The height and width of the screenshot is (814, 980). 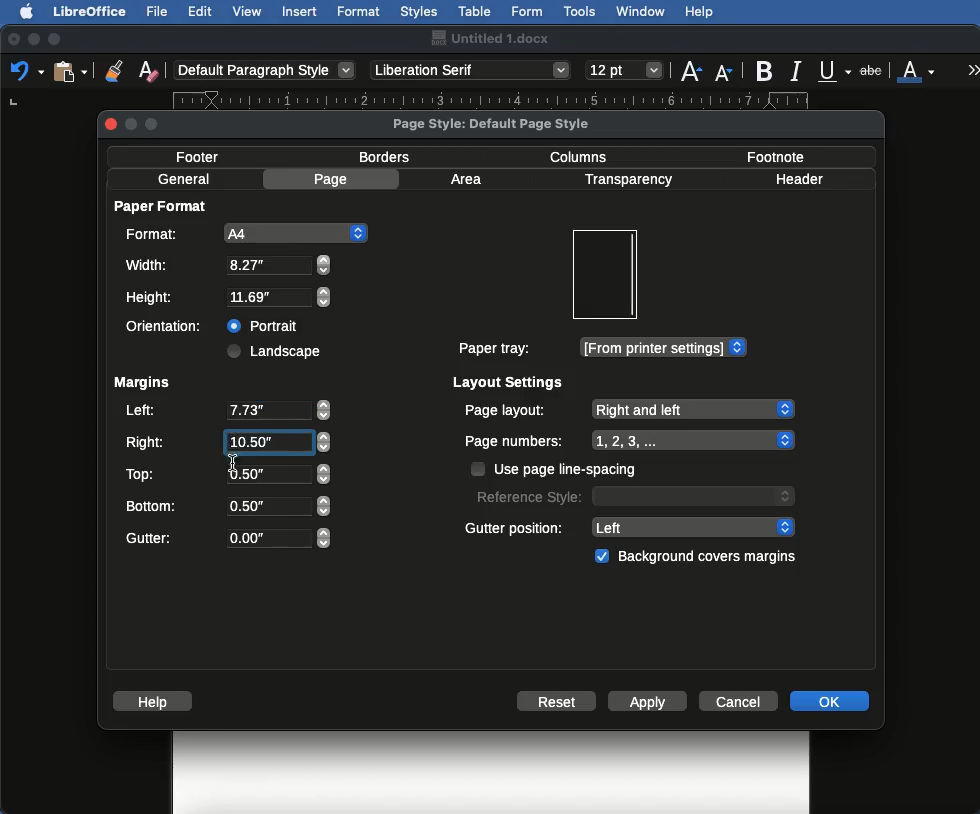 I want to click on Paper tray, so click(x=601, y=348).